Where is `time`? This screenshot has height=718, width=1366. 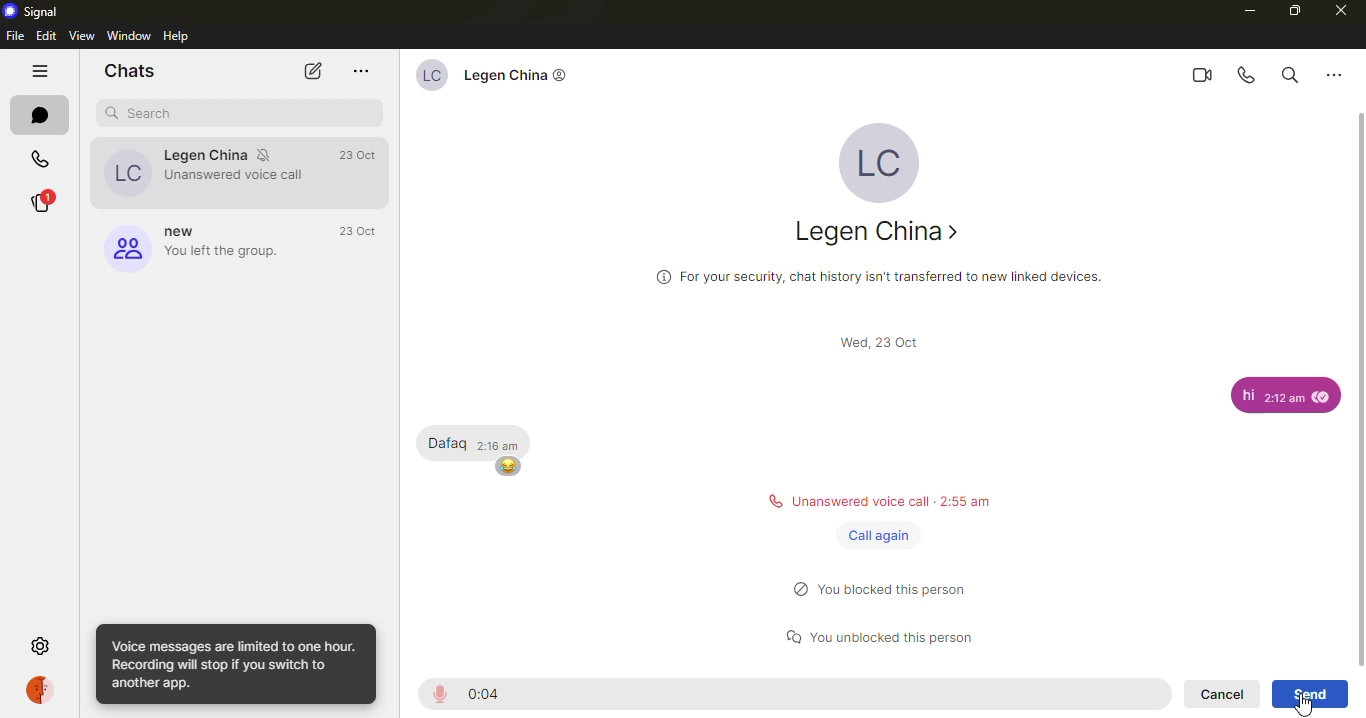 time is located at coordinates (361, 232).